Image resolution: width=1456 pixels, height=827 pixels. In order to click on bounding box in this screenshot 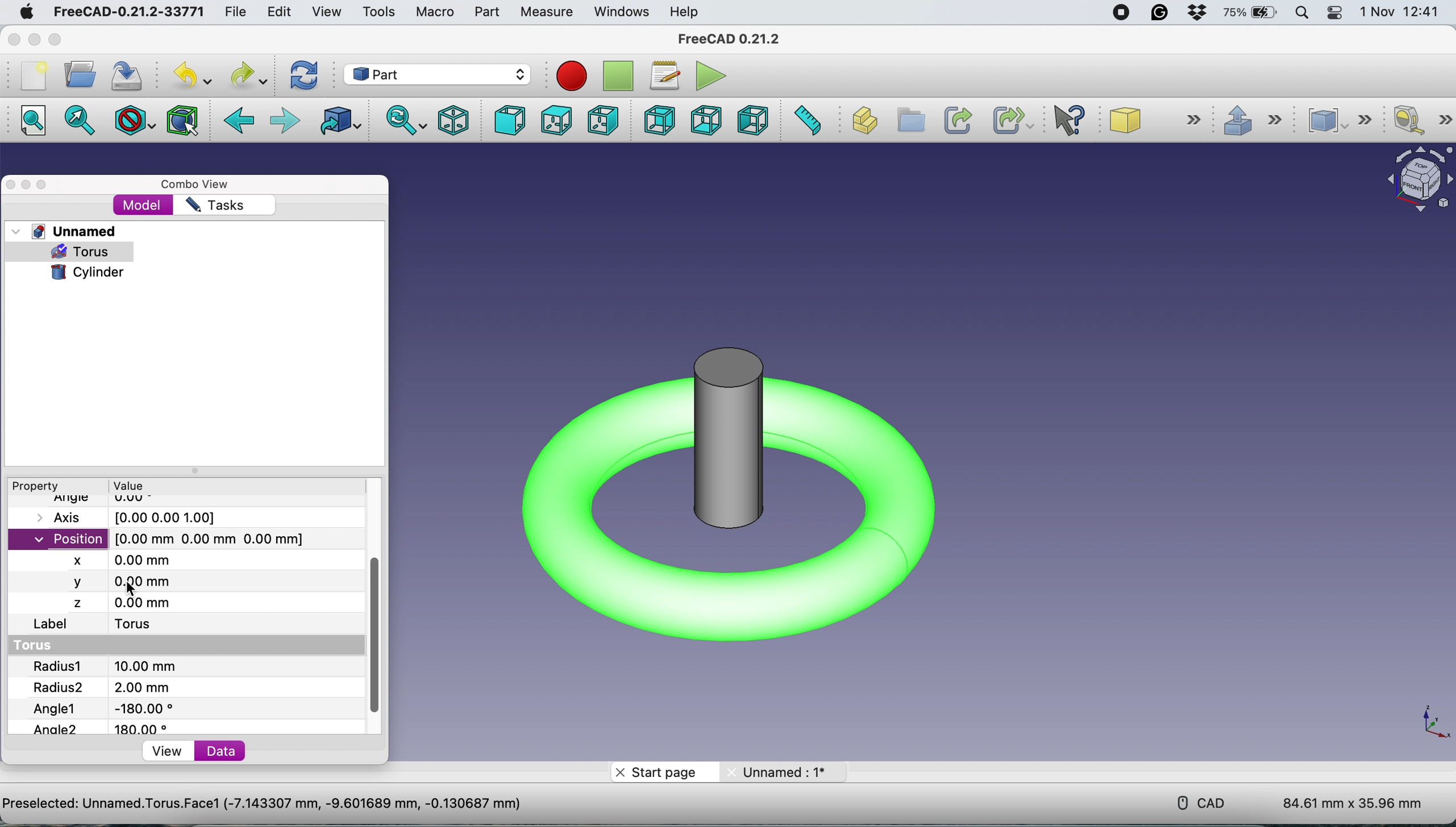, I will do `click(184, 120)`.